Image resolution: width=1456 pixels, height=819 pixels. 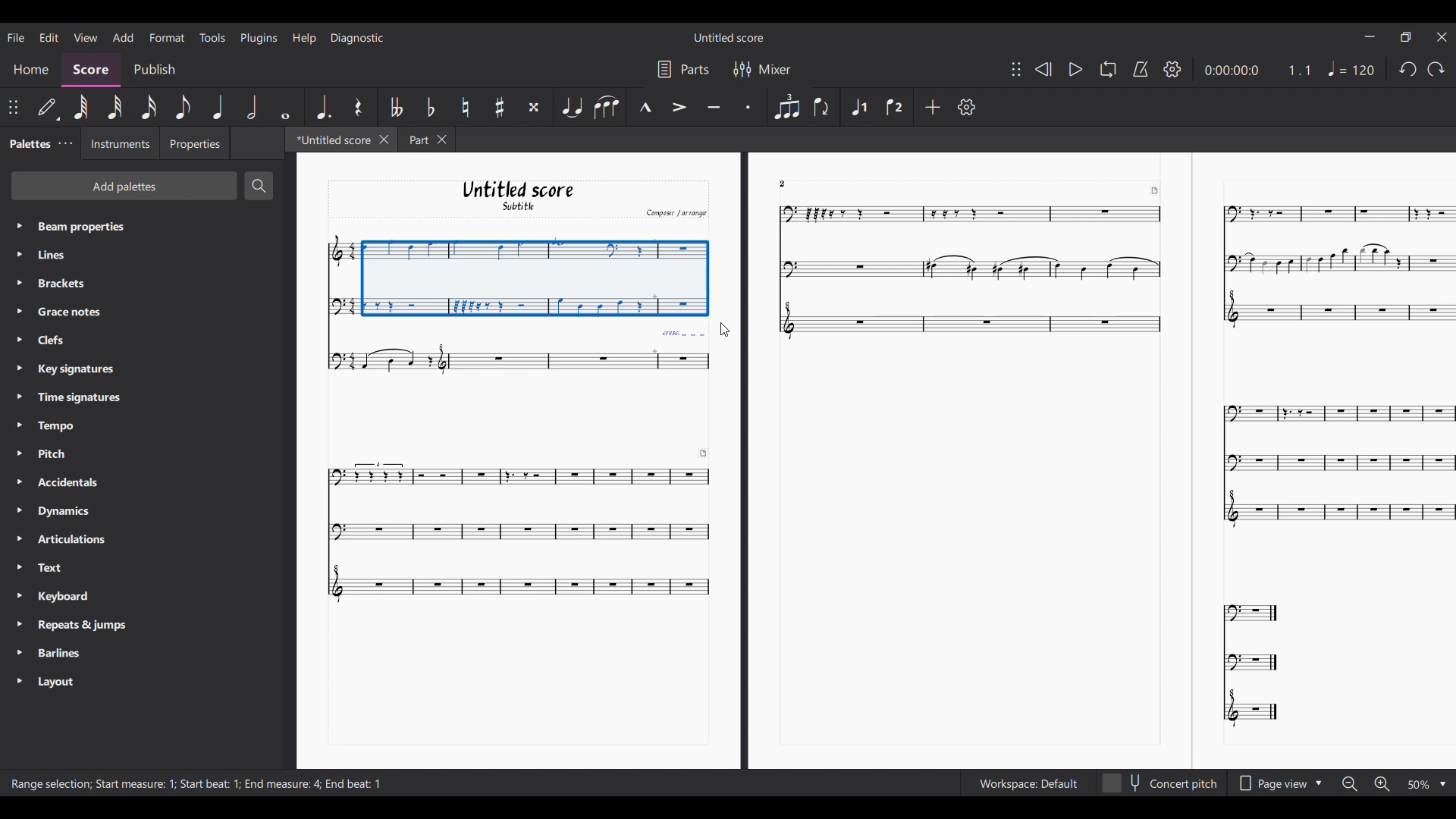 What do you see at coordinates (1321, 782) in the screenshot?
I see `Drop down` at bounding box center [1321, 782].